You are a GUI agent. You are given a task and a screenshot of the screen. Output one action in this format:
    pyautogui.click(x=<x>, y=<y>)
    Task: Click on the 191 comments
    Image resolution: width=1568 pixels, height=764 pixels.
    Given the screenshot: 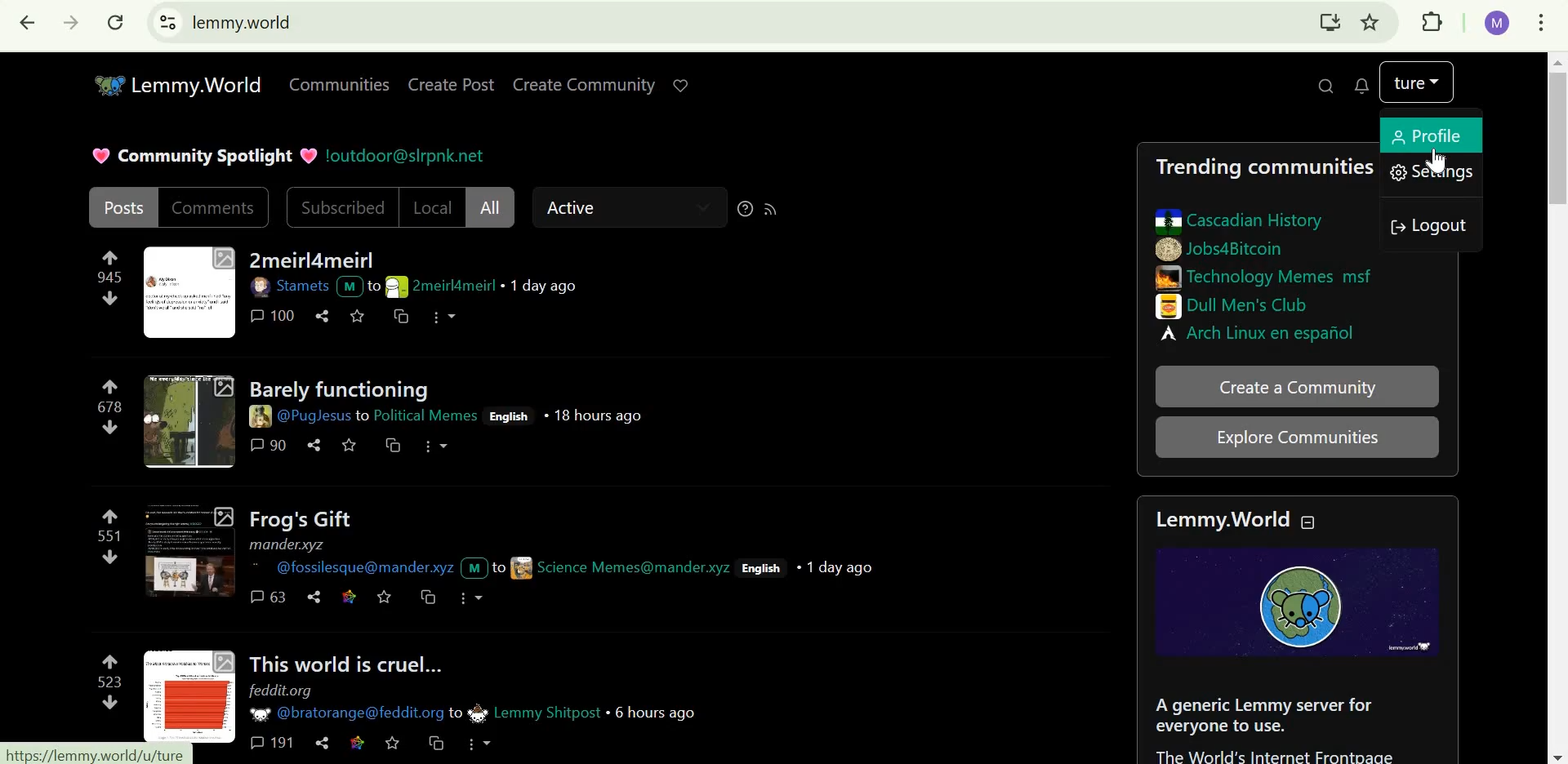 What is the action you would take?
    pyautogui.click(x=273, y=744)
    